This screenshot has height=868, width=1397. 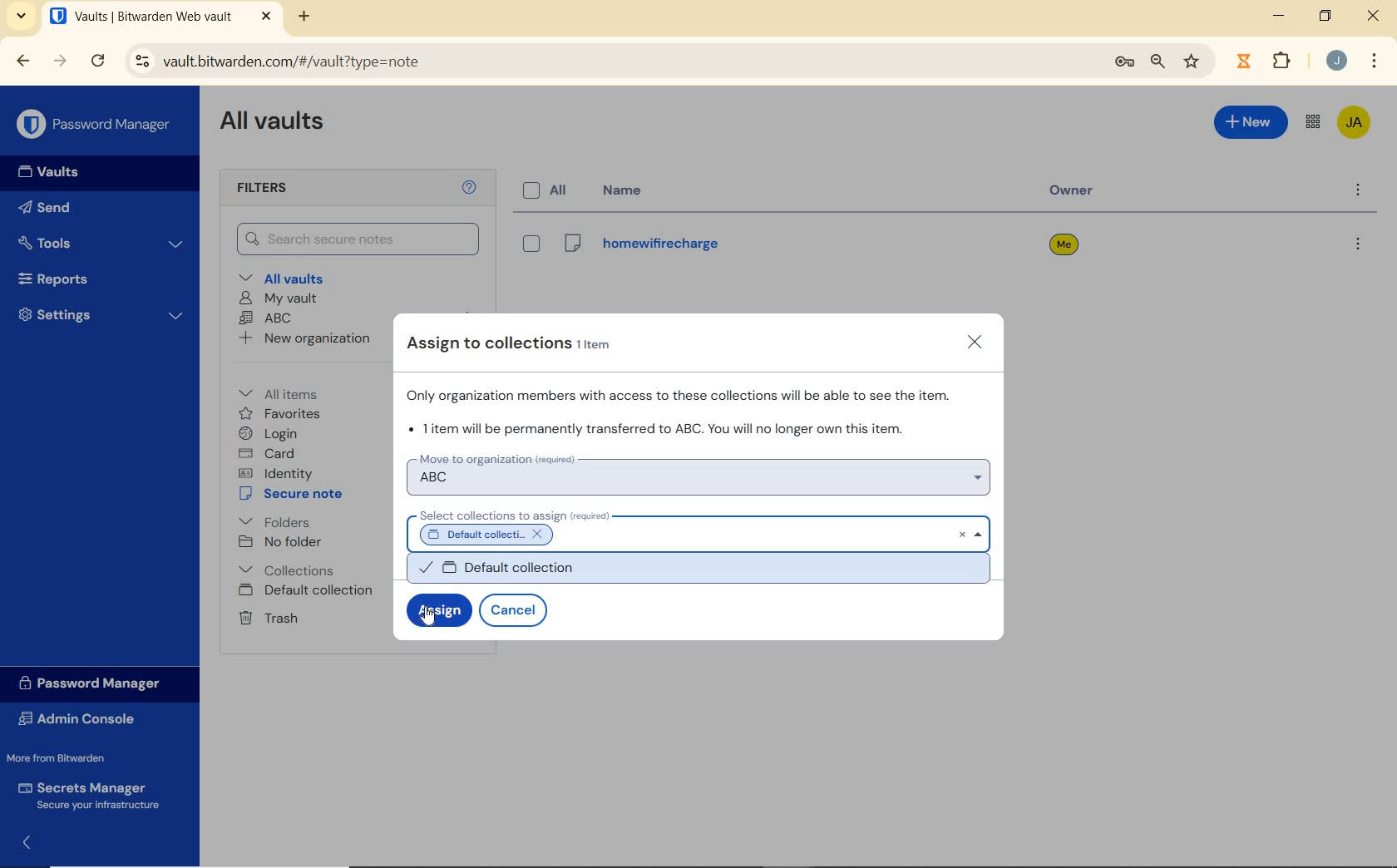 I want to click on toggle between admin console and password manager, so click(x=1313, y=123).